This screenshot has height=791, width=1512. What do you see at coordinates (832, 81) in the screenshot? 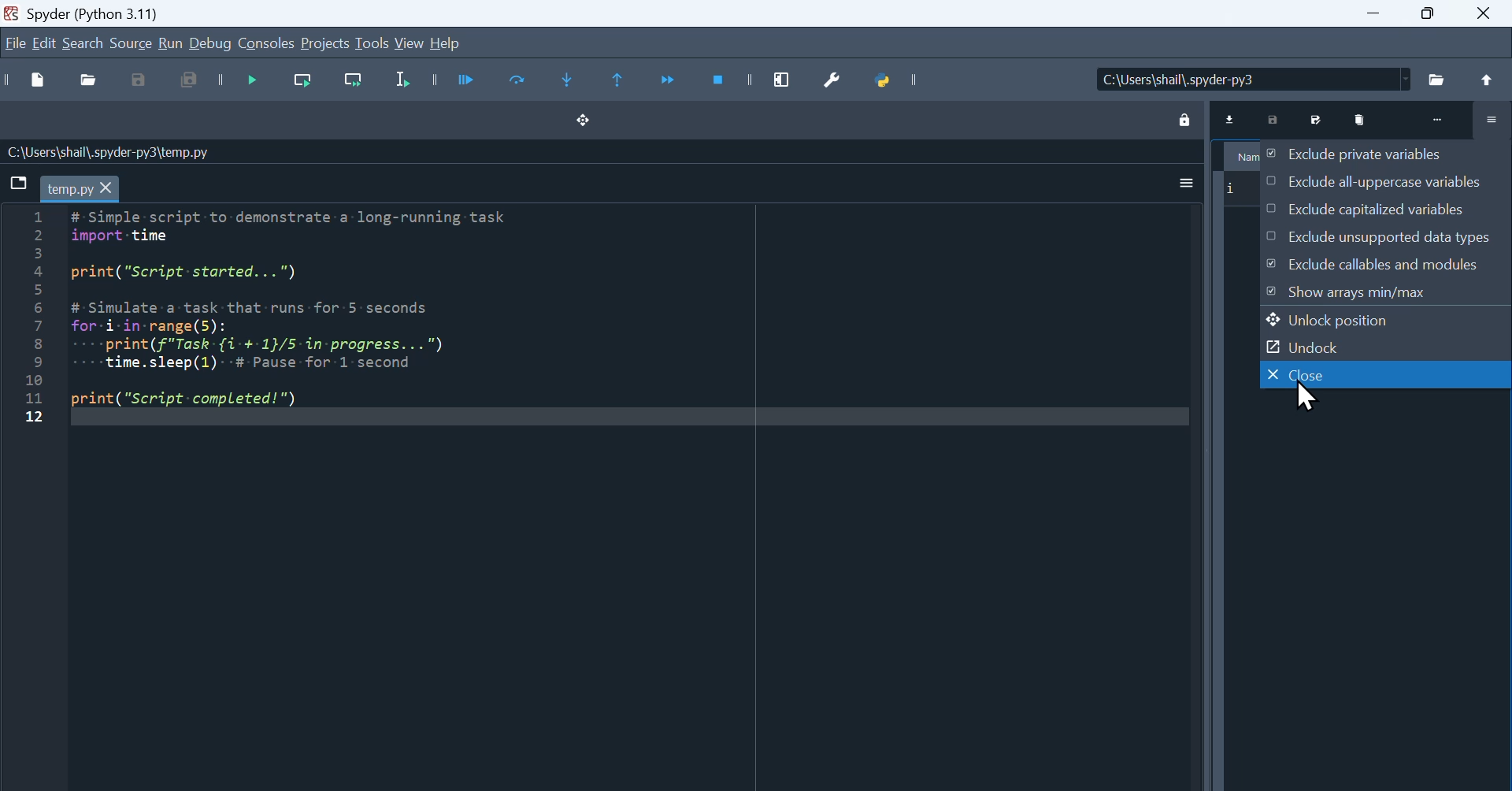
I see `Preferences` at bounding box center [832, 81].